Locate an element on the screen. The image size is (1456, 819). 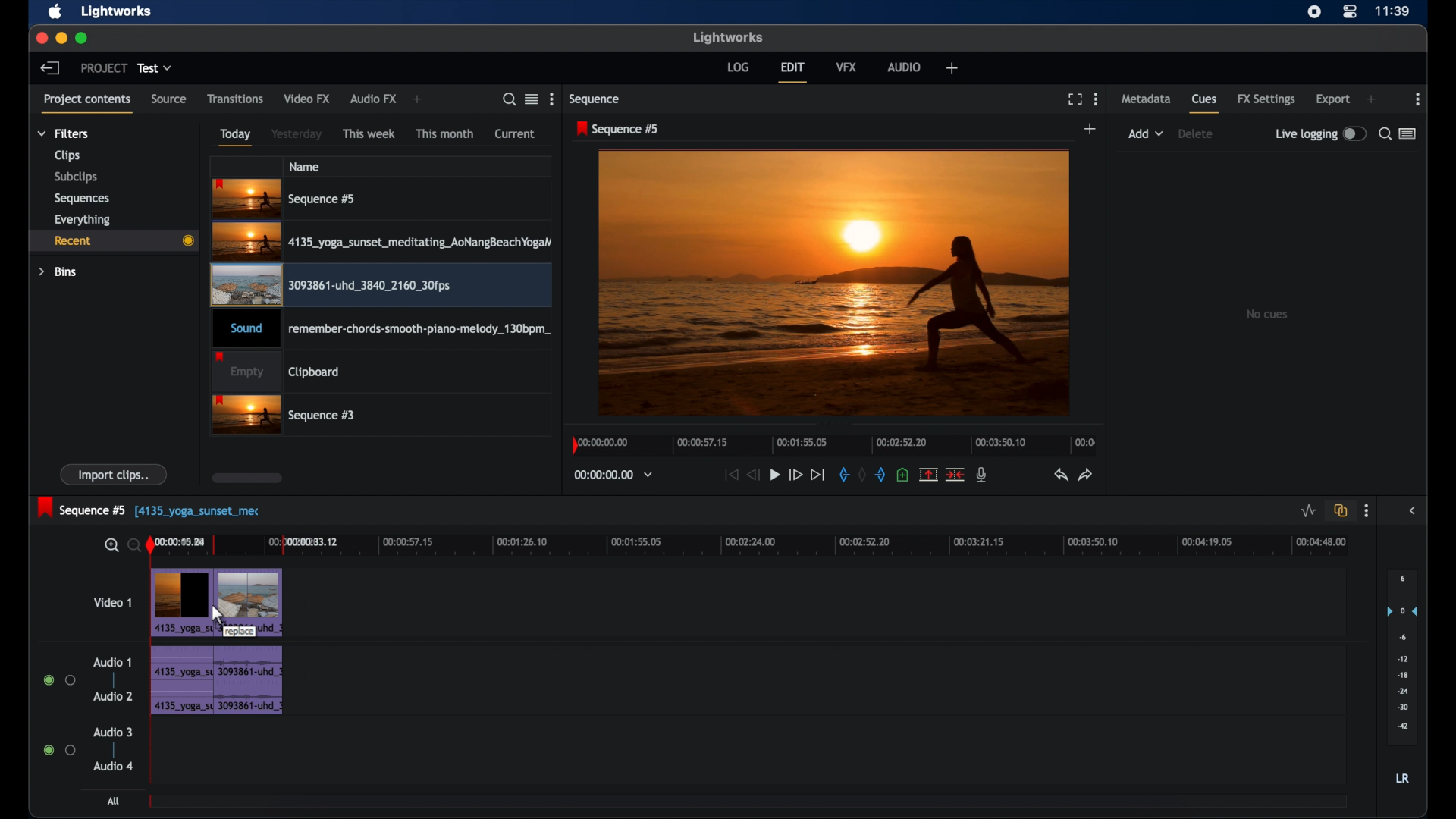
sequence 3 is located at coordinates (285, 416).